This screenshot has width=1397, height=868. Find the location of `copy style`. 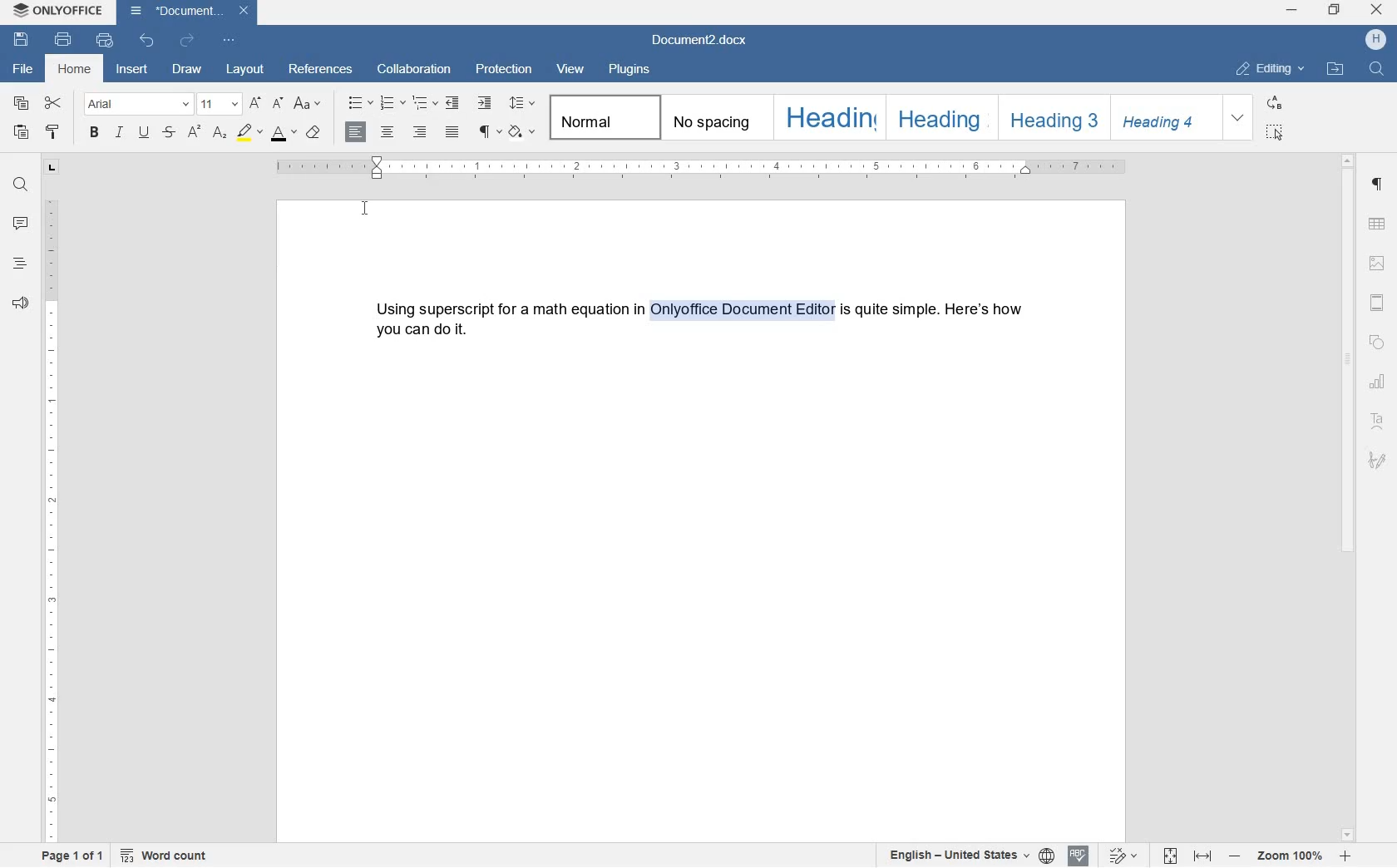

copy style is located at coordinates (52, 133).